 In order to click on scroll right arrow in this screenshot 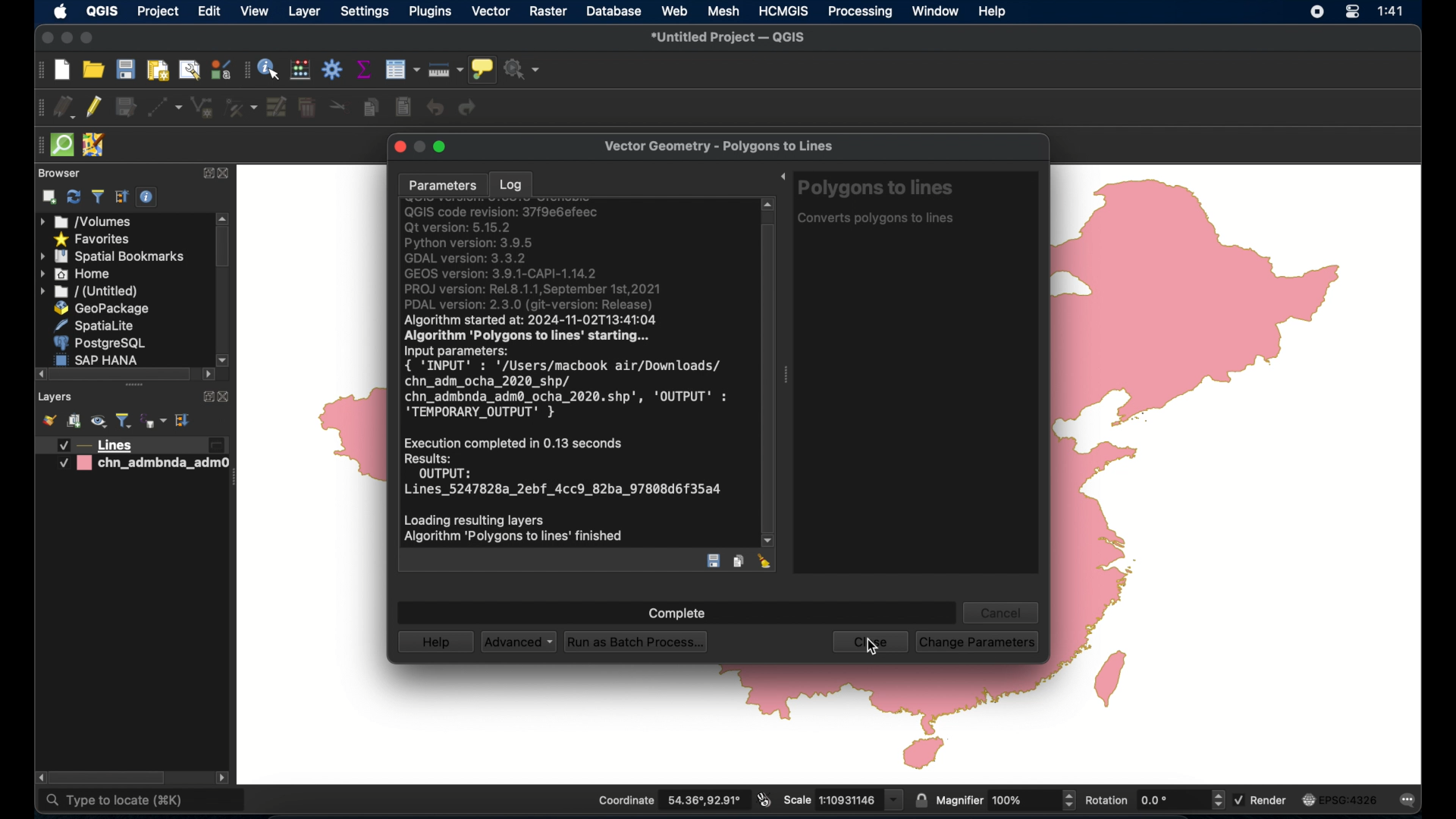, I will do `click(37, 777)`.